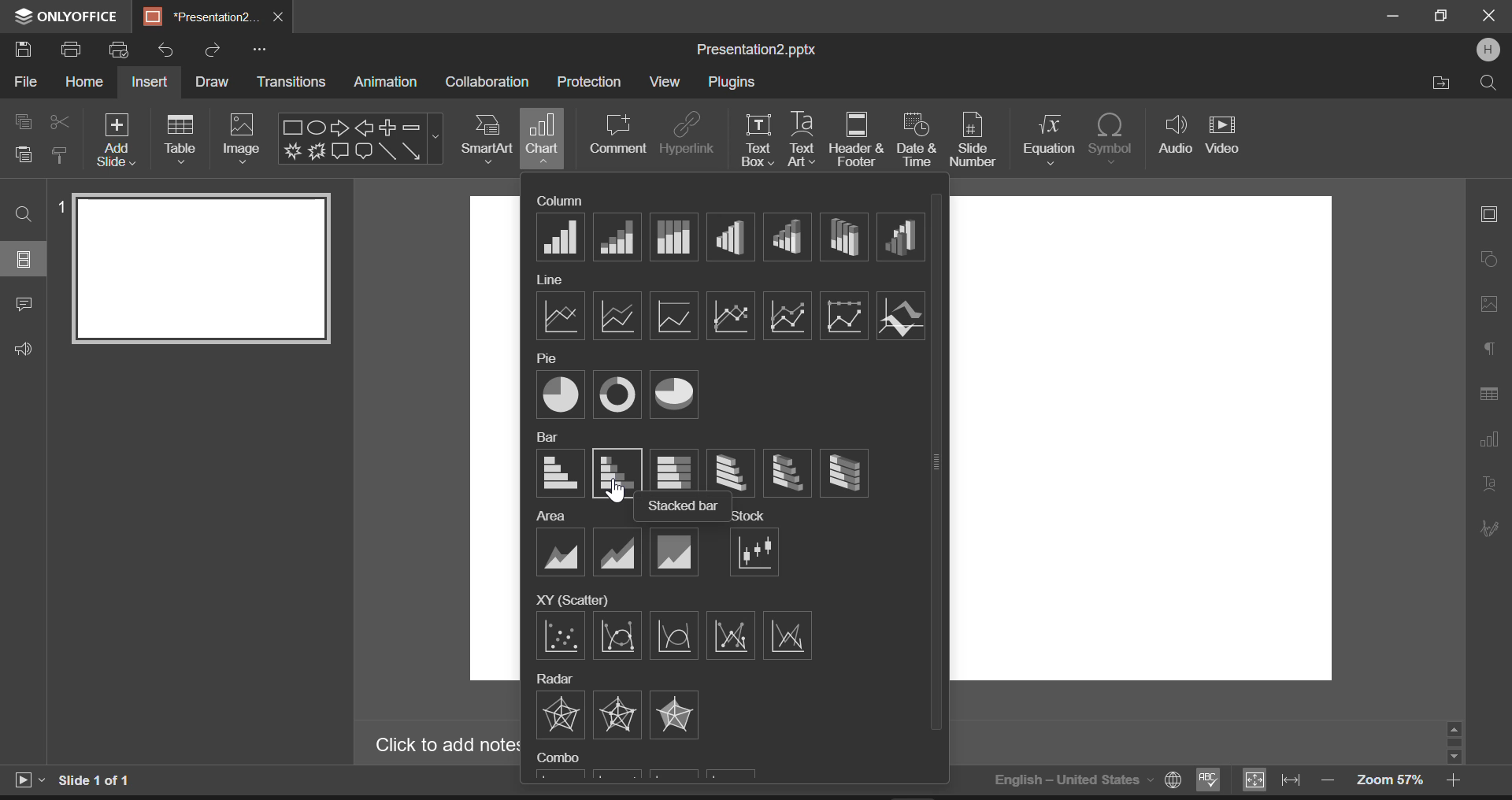  Describe the element at coordinates (1049, 140) in the screenshot. I see `Equation` at that location.